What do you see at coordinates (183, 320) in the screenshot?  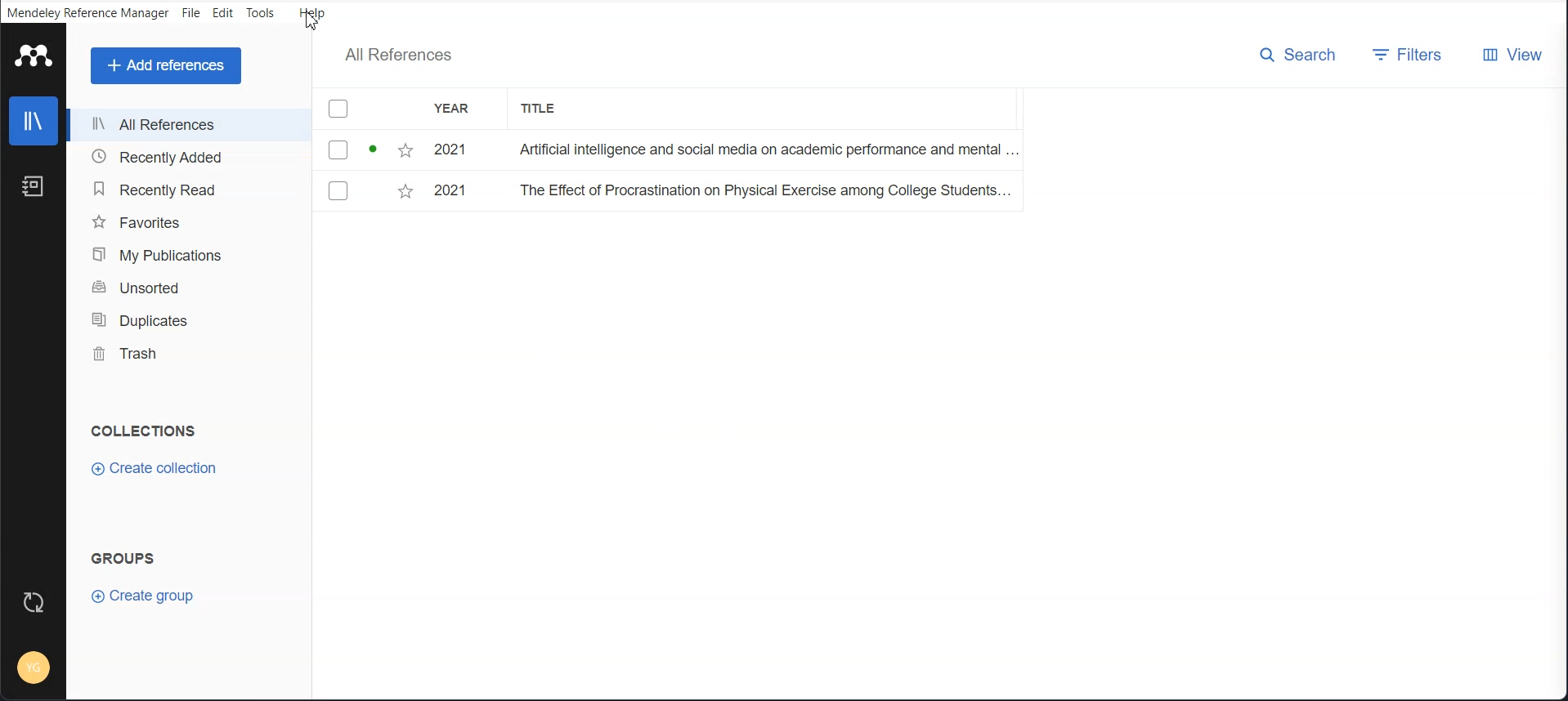 I see `Duplicates` at bounding box center [183, 320].